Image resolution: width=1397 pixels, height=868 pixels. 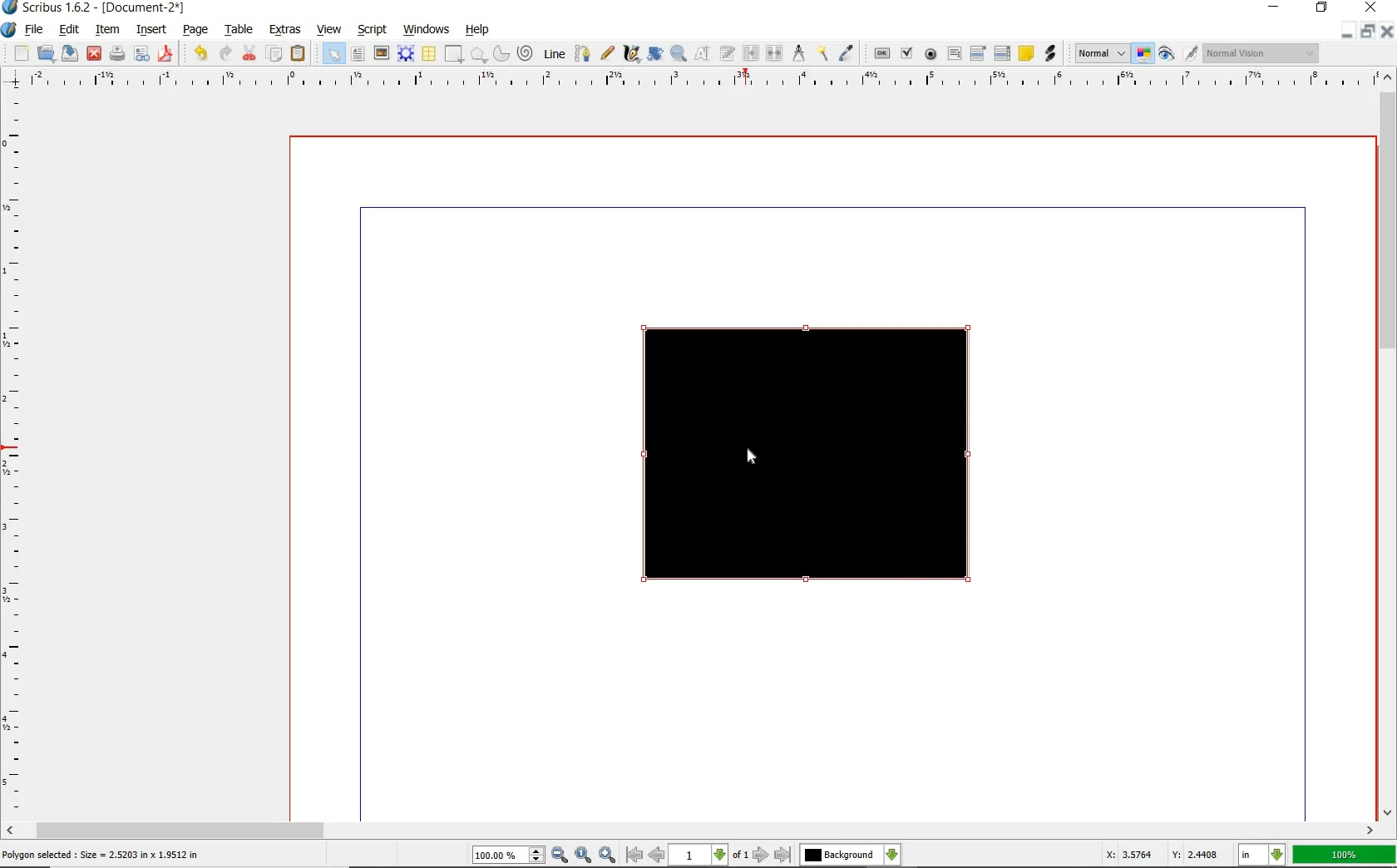 What do you see at coordinates (906, 54) in the screenshot?
I see `pdf check box` at bounding box center [906, 54].